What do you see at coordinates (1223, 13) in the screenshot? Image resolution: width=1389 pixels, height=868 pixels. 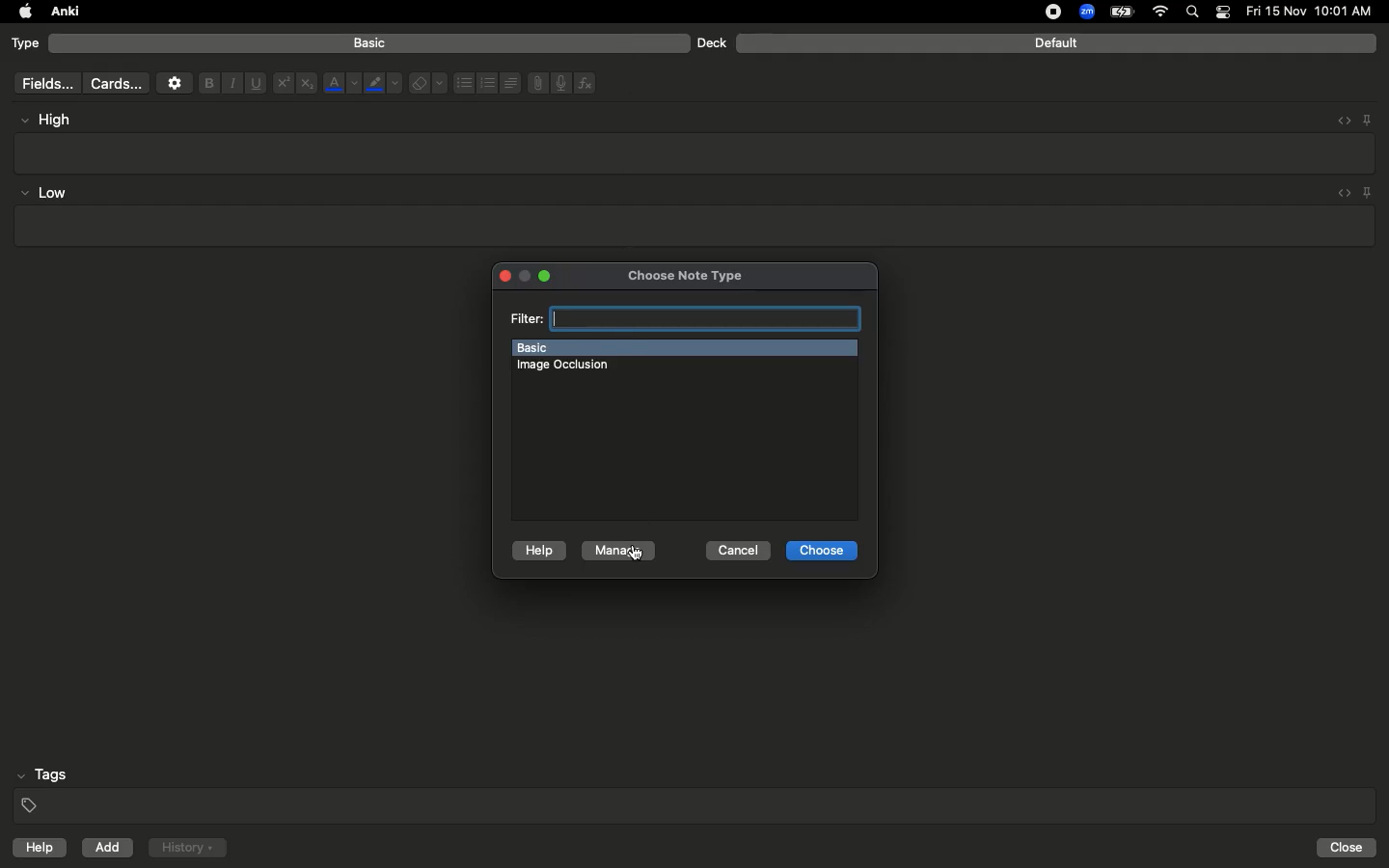 I see `Notification bar` at bounding box center [1223, 13].